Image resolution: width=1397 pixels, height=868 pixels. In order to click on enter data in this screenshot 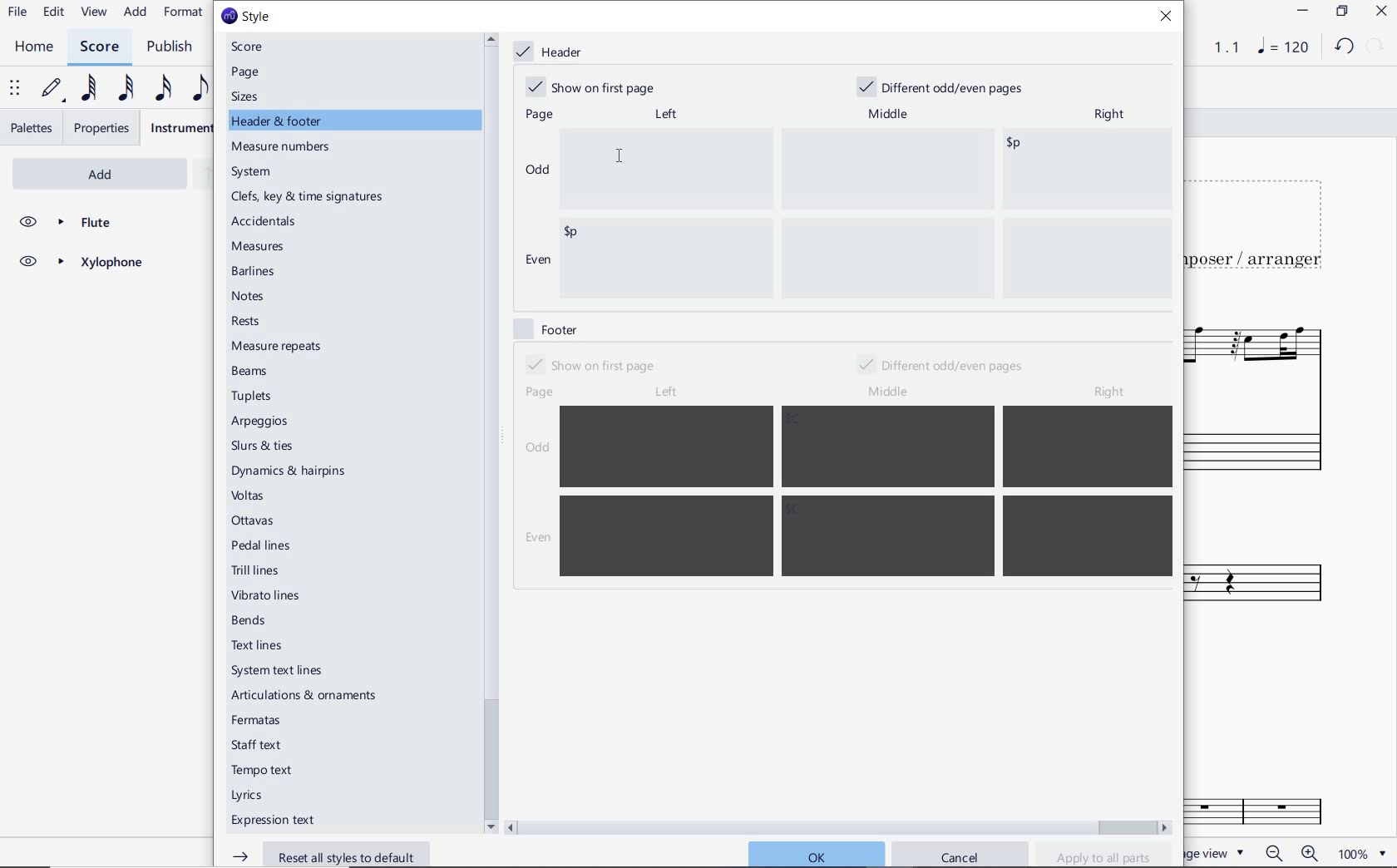, I will do `click(865, 214)`.